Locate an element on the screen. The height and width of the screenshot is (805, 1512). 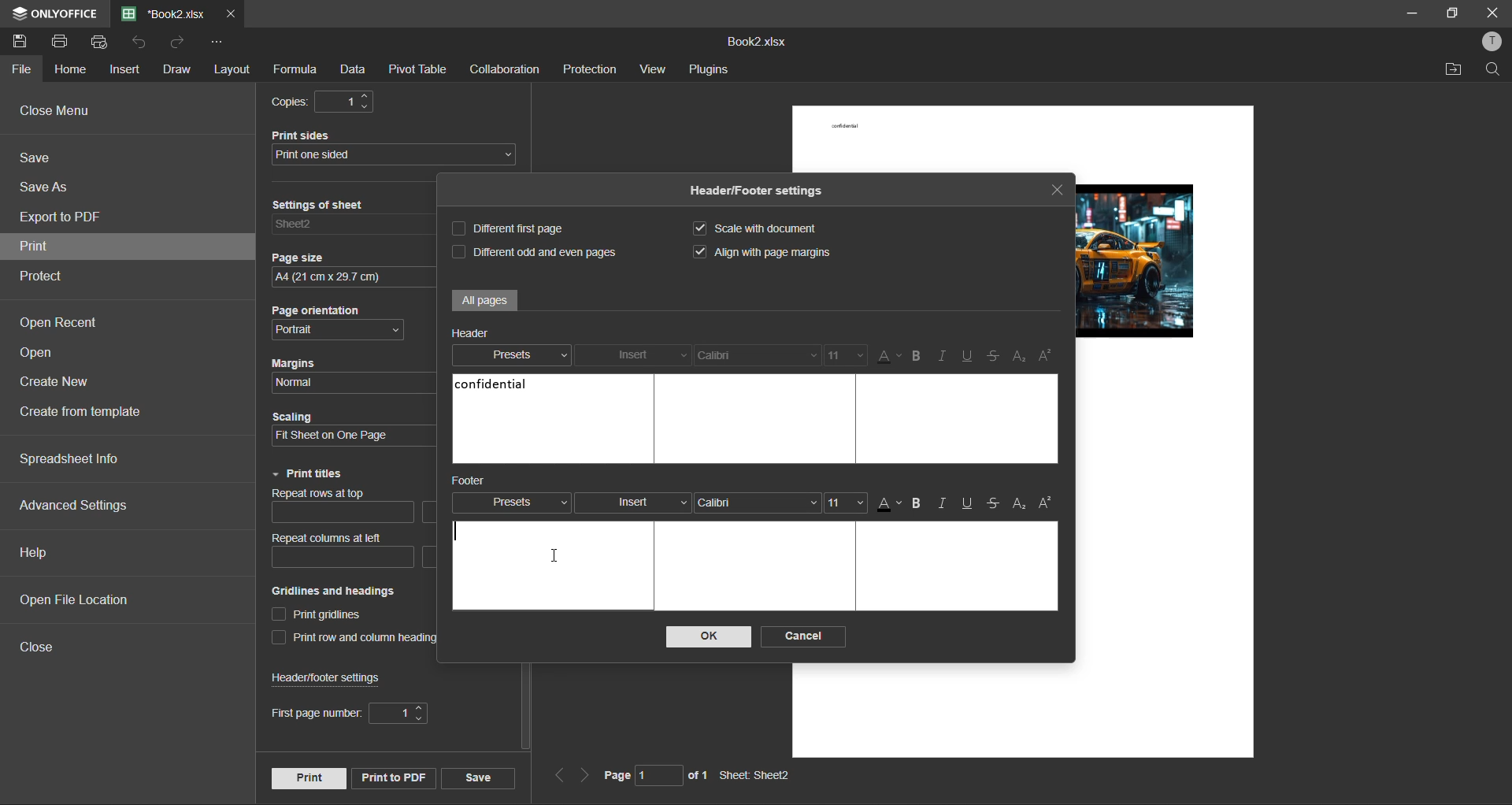
Header is located at coordinates (475, 335).